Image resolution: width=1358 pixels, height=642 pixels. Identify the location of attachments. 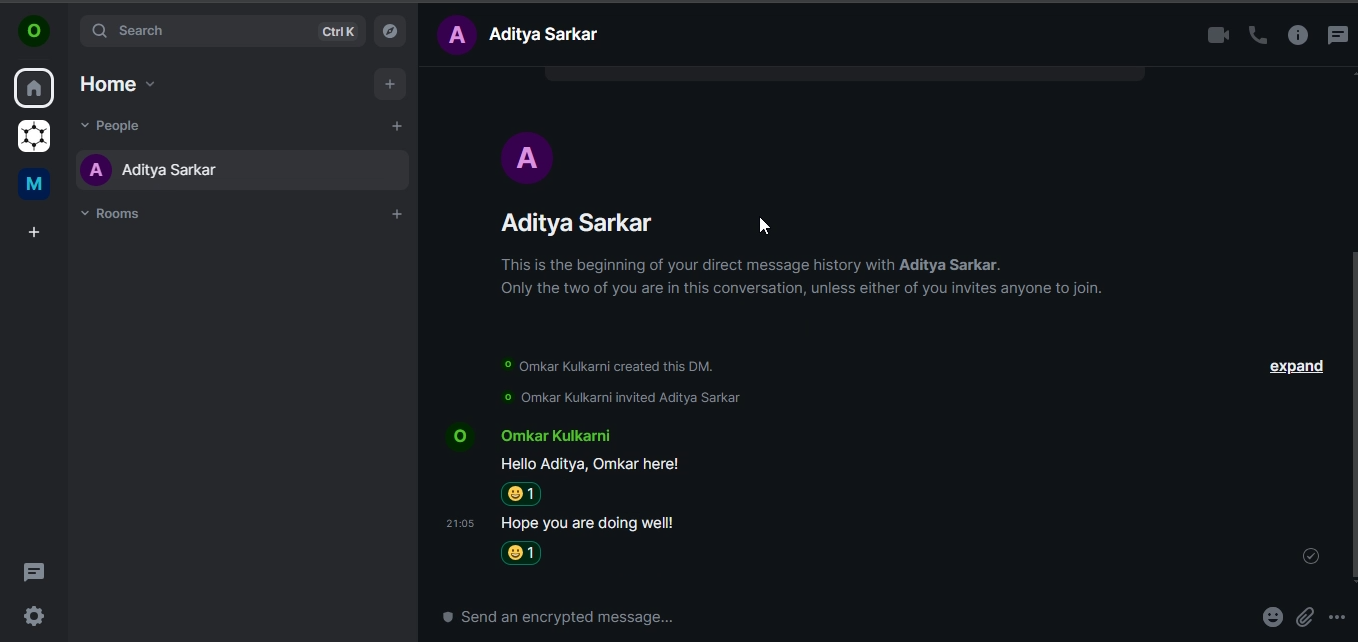
(1310, 618).